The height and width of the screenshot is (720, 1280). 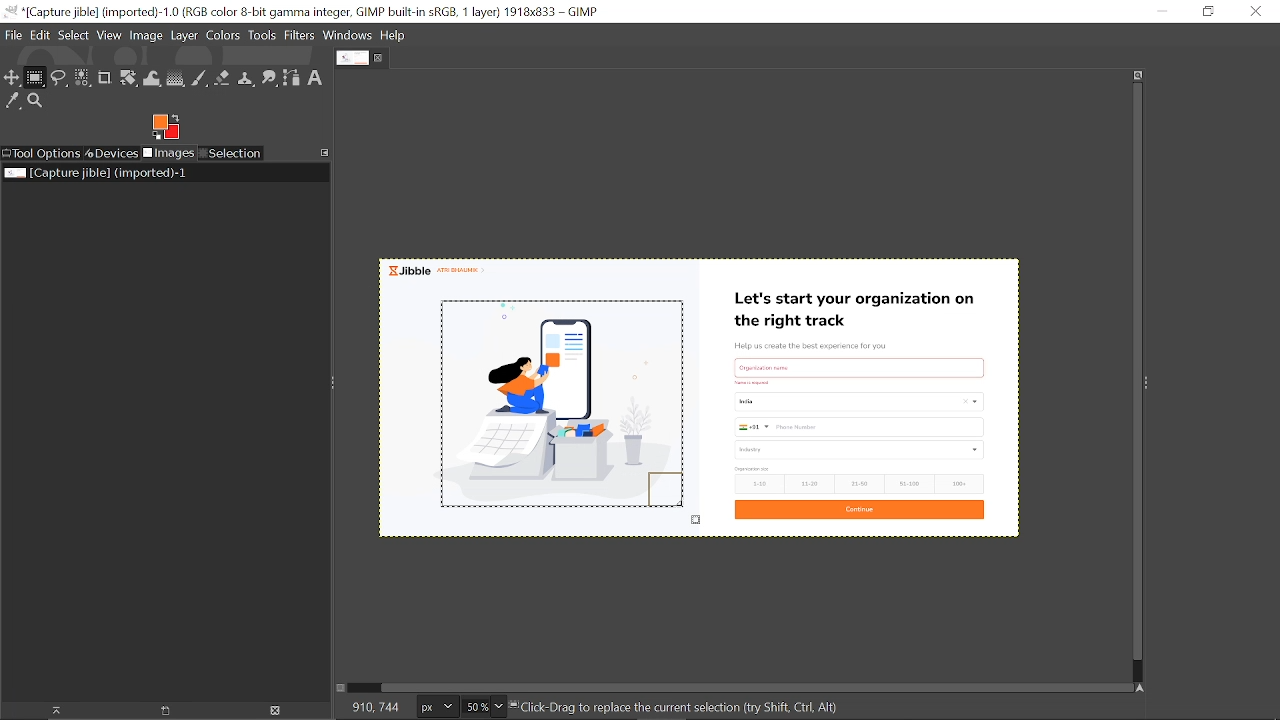 I want to click on Gradient tool, so click(x=176, y=79).